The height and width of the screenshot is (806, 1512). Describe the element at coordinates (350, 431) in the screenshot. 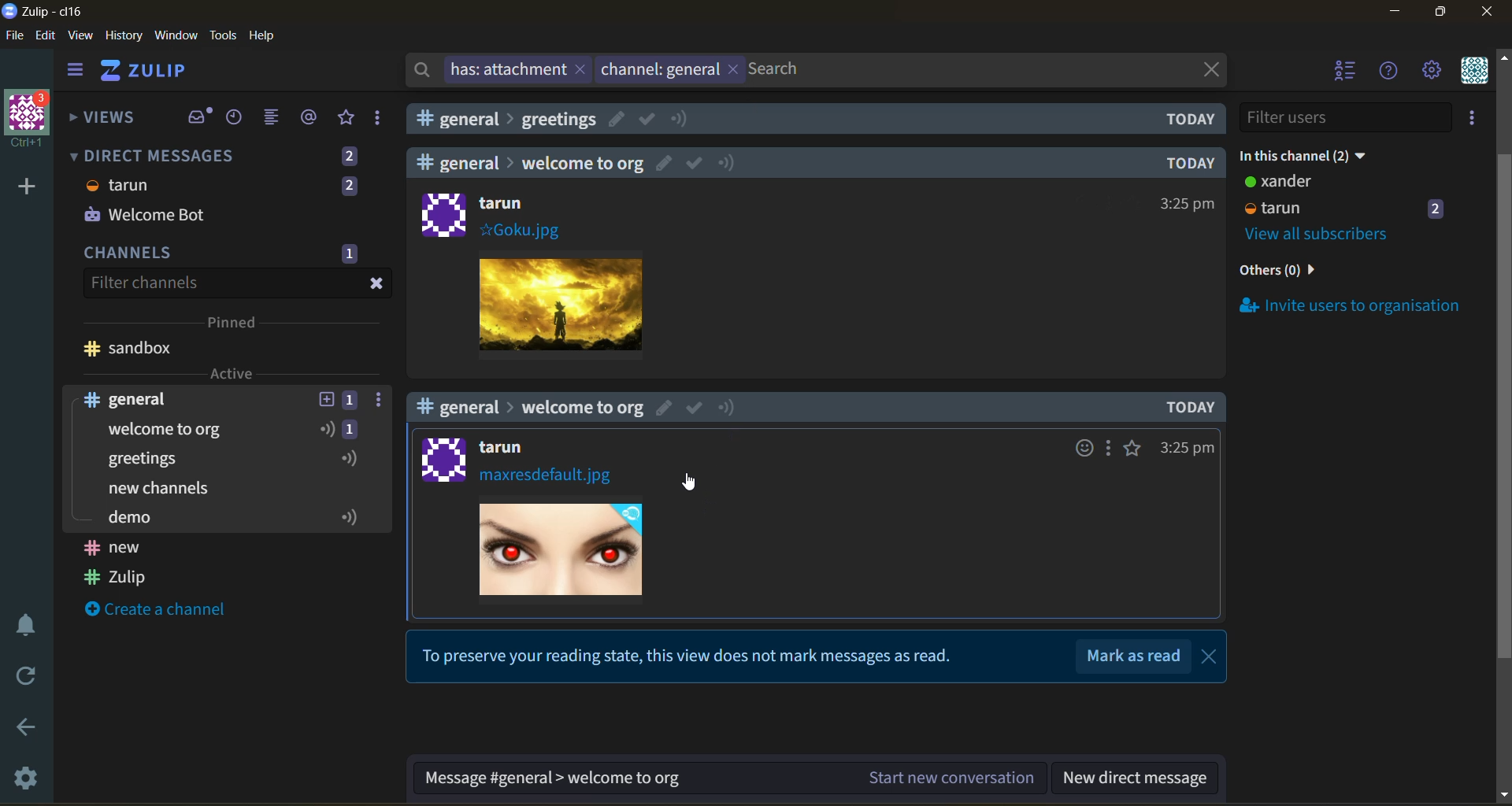

I see `1` at that location.